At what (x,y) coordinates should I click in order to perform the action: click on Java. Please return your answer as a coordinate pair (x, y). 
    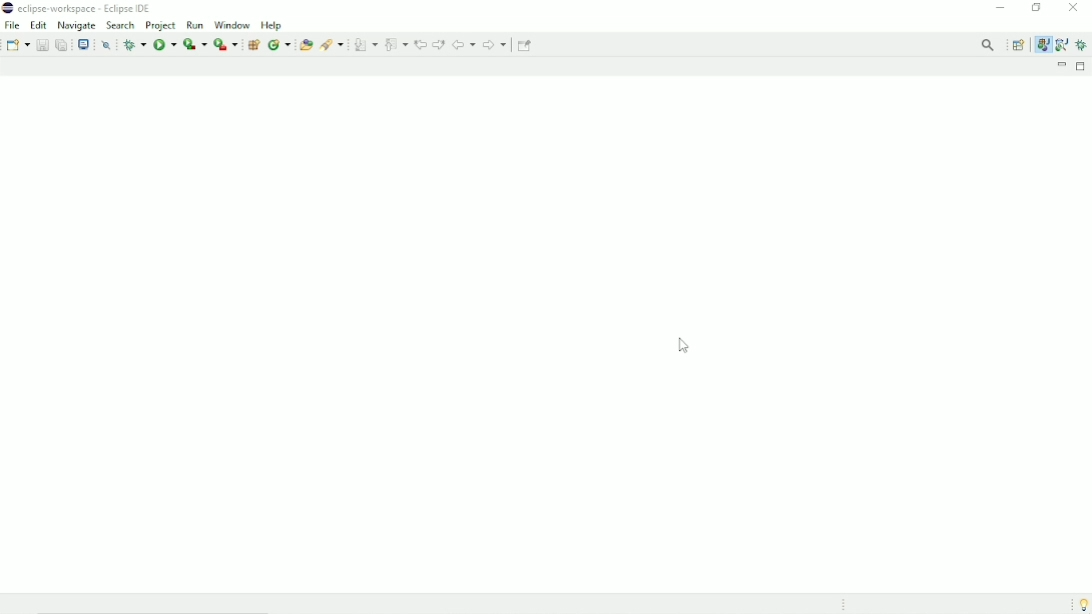
    Looking at the image, I should click on (1042, 44).